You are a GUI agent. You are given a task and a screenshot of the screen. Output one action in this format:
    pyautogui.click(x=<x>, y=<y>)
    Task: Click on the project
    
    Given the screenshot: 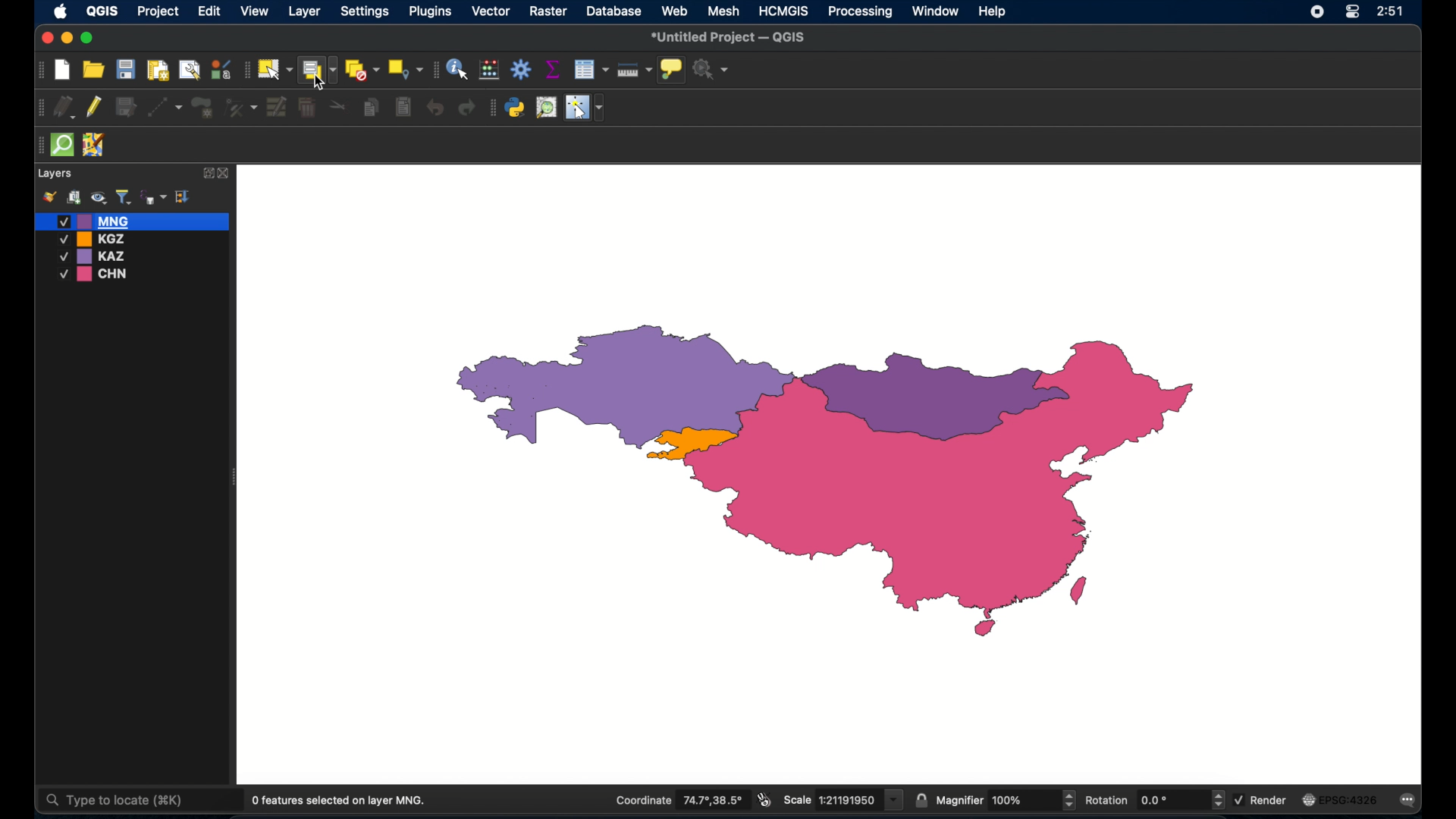 What is the action you would take?
    pyautogui.click(x=158, y=12)
    